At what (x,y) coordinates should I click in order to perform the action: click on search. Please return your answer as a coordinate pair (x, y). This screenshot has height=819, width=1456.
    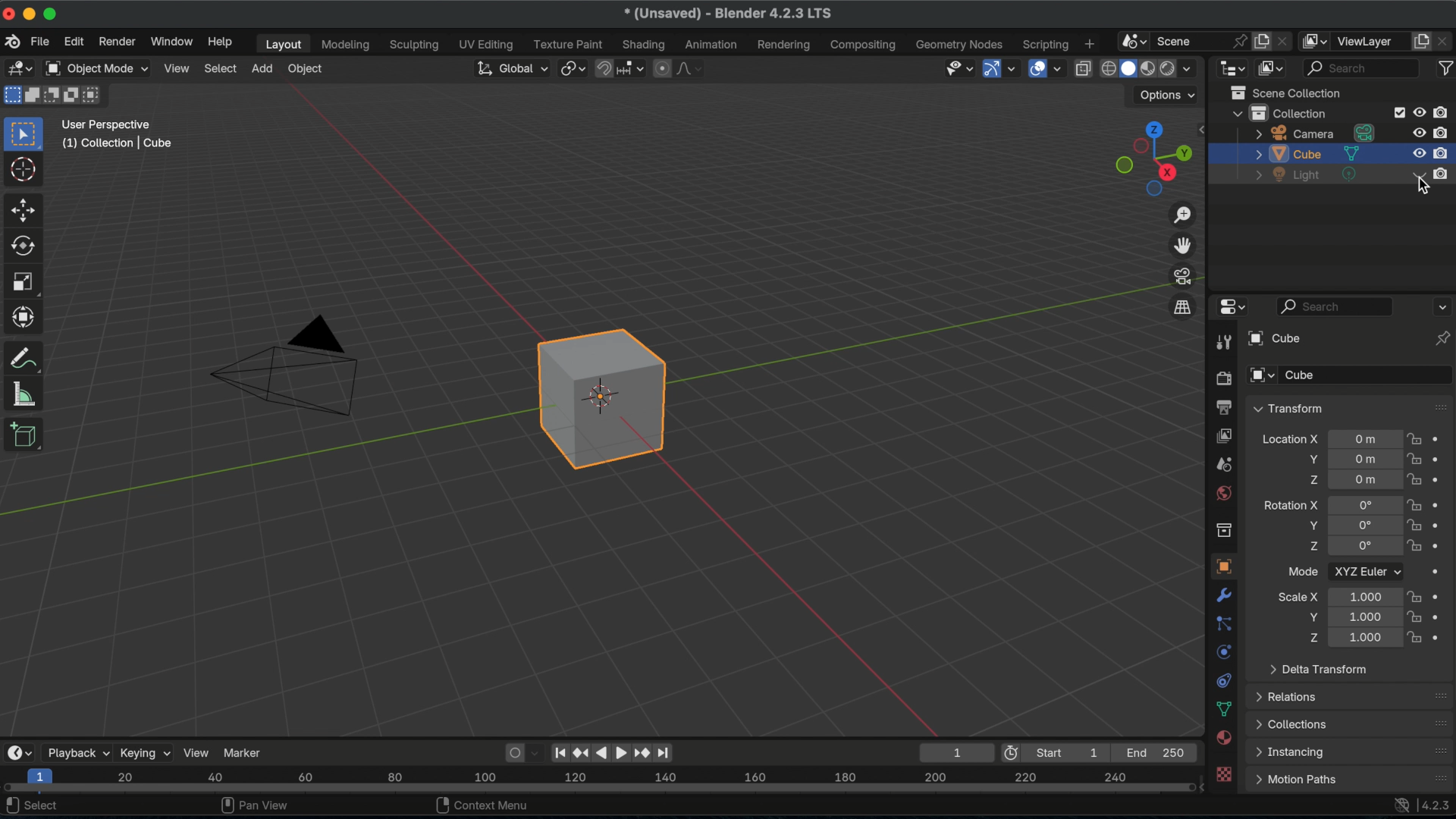
    Looking at the image, I should click on (1353, 69).